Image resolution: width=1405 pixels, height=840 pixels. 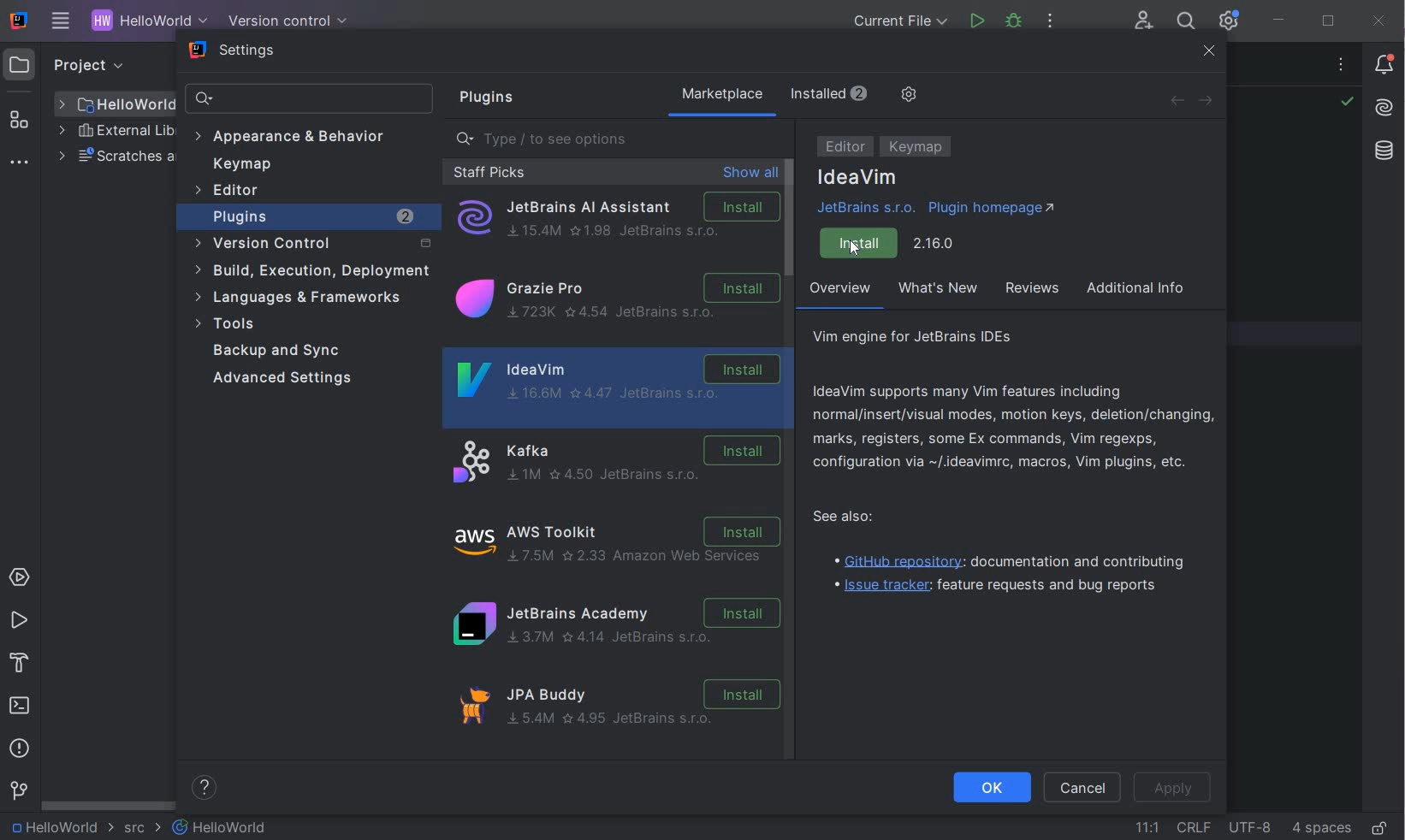 What do you see at coordinates (840, 290) in the screenshot?
I see `overview` at bounding box center [840, 290].